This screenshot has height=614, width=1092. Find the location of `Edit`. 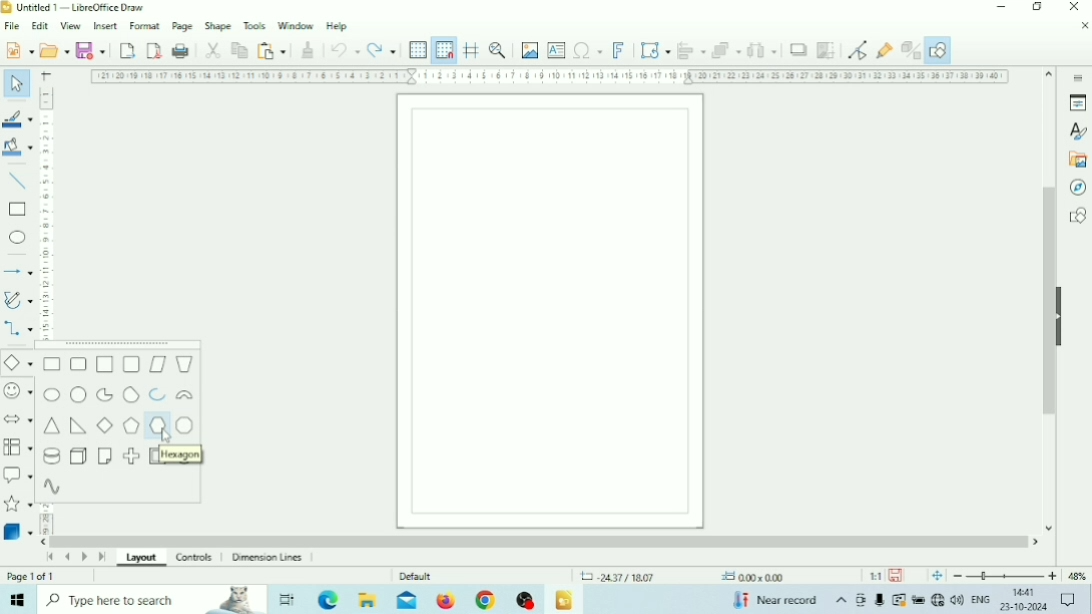

Edit is located at coordinates (40, 26).